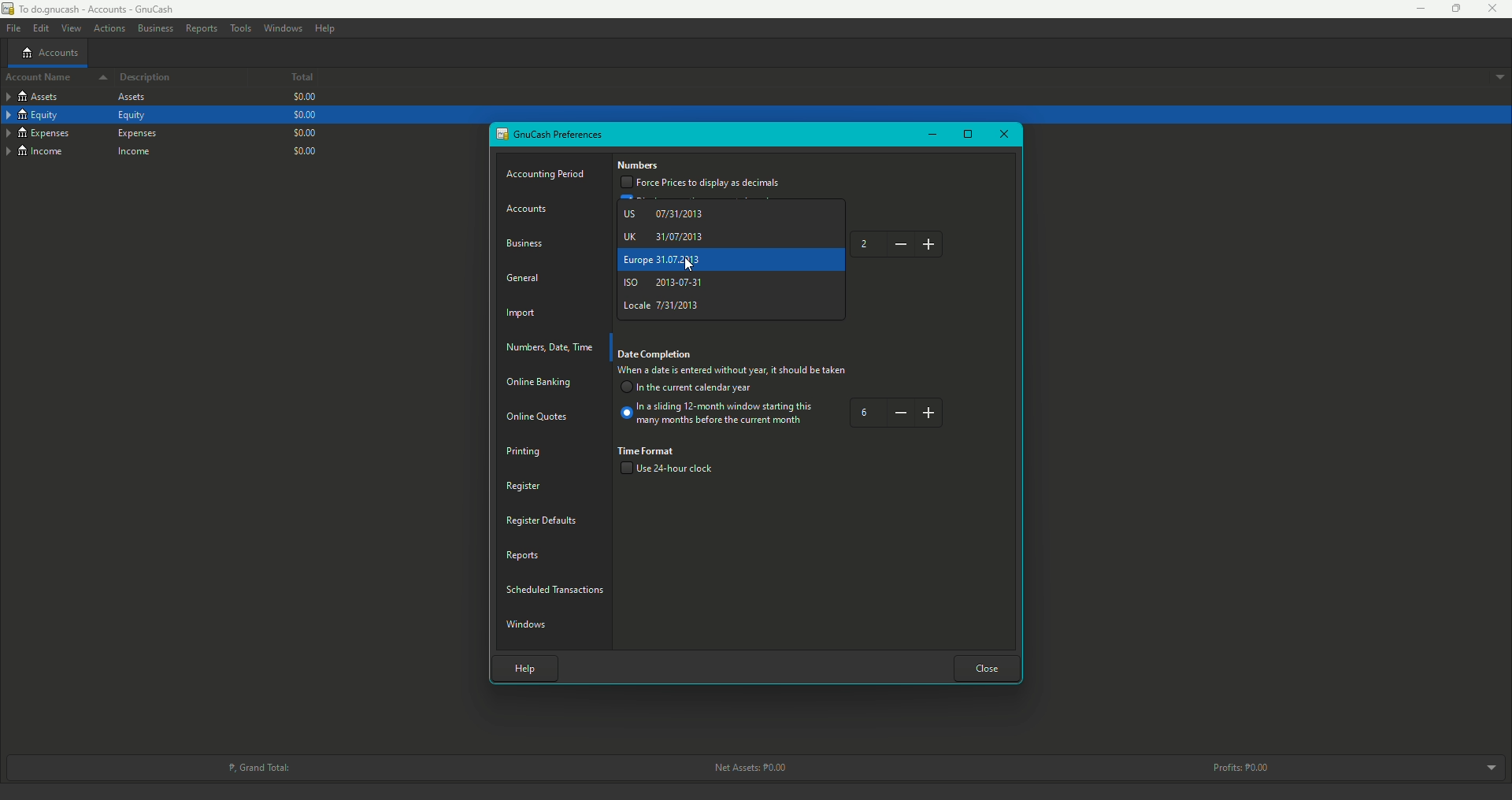 Image resolution: width=1512 pixels, height=800 pixels. Describe the element at coordinates (1449, 9) in the screenshot. I see `Restore` at that location.